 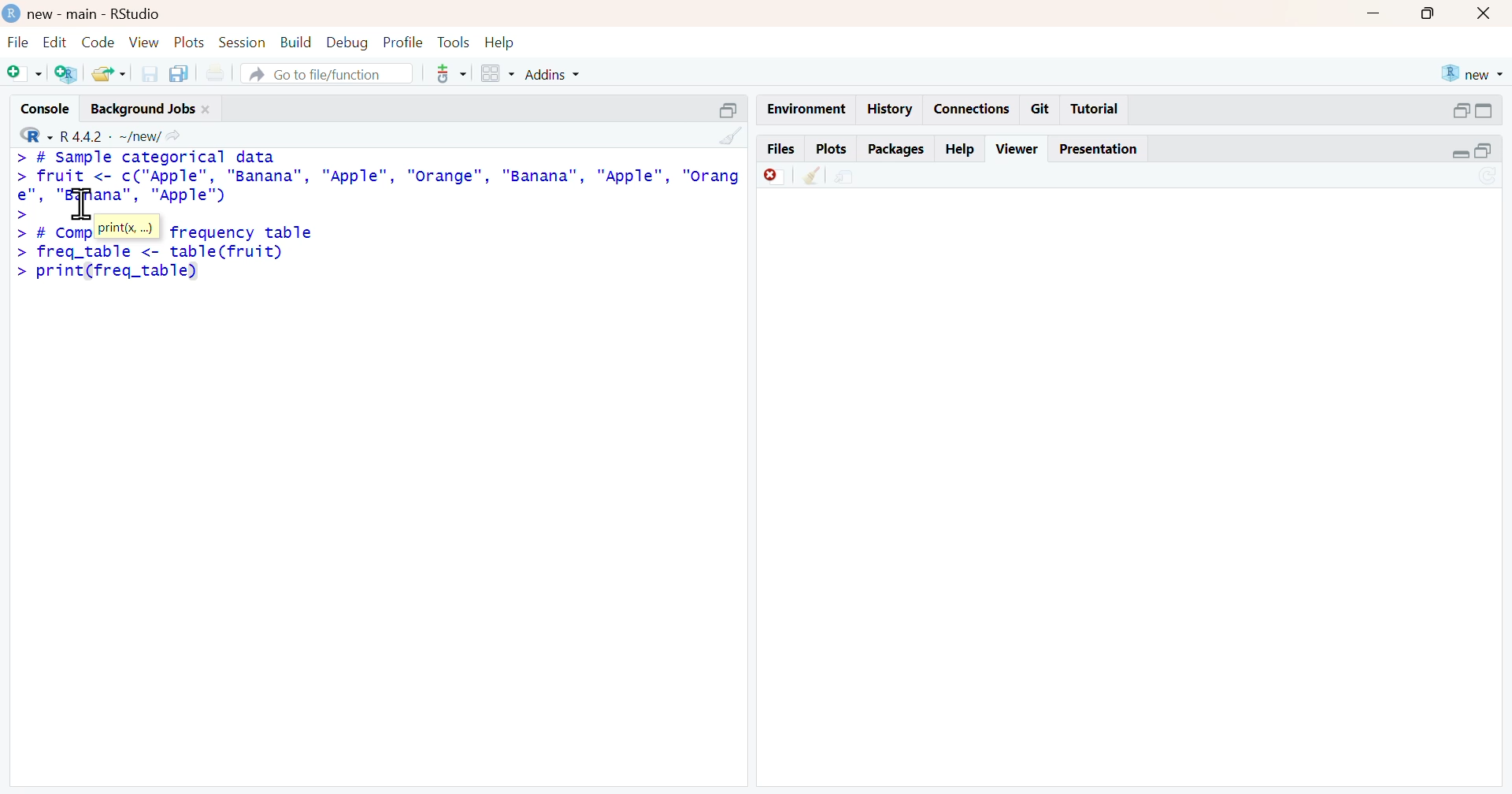 I want to click on connections, so click(x=972, y=109).